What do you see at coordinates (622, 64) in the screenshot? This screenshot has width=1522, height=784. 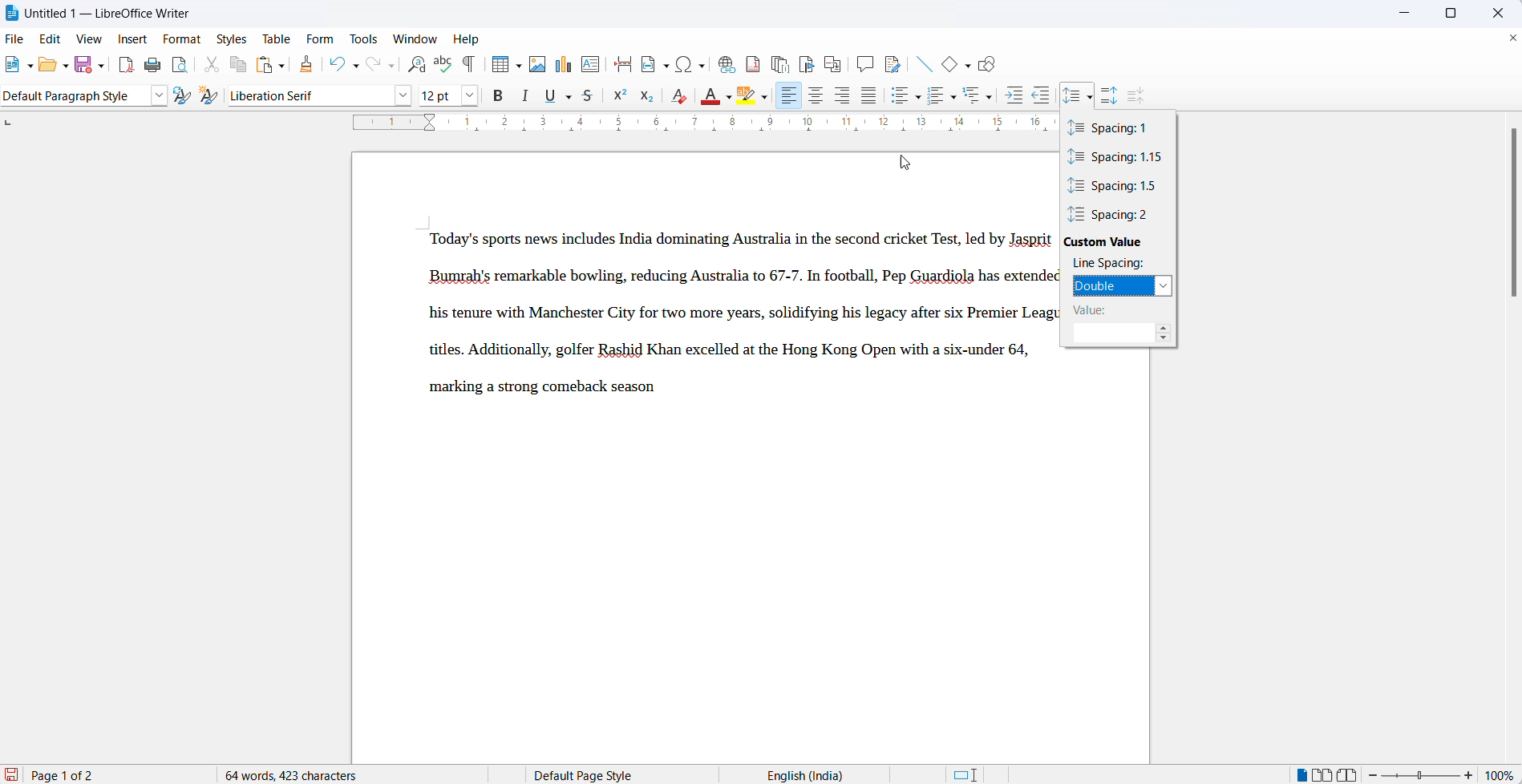 I see `page break` at bounding box center [622, 64].